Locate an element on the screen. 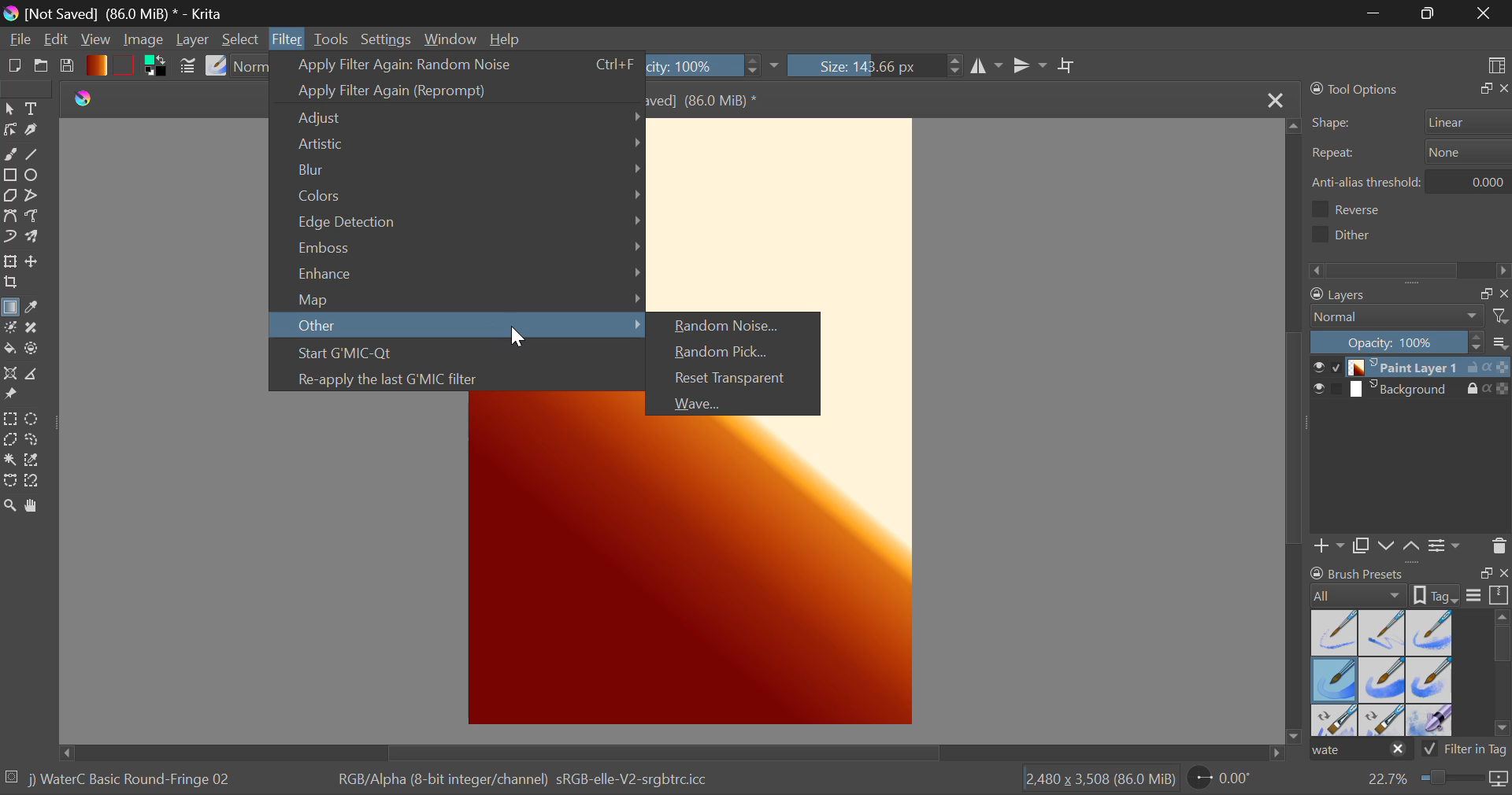 This screenshot has height=795, width=1512. Shape selector is located at coordinates (1469, 121).